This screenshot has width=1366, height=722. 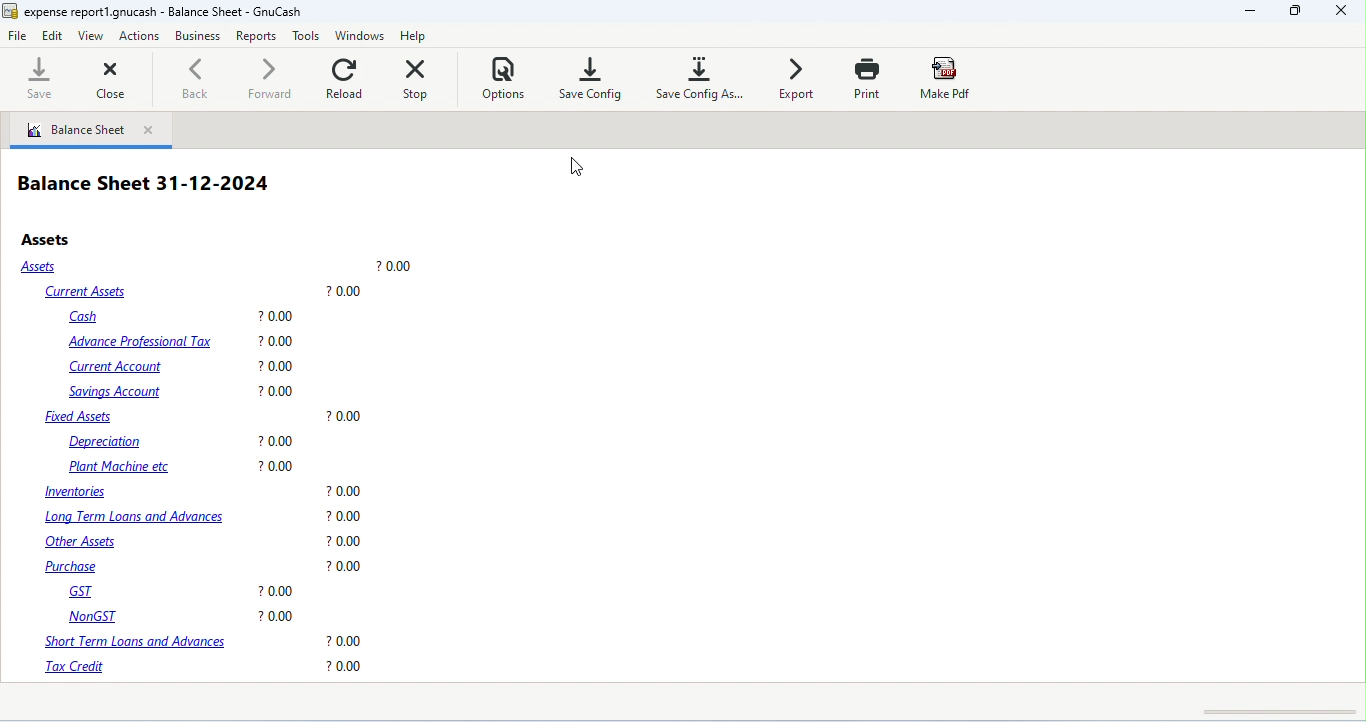 I want to click on balance sheet 31-12-2024, so click(x=145, y=185).